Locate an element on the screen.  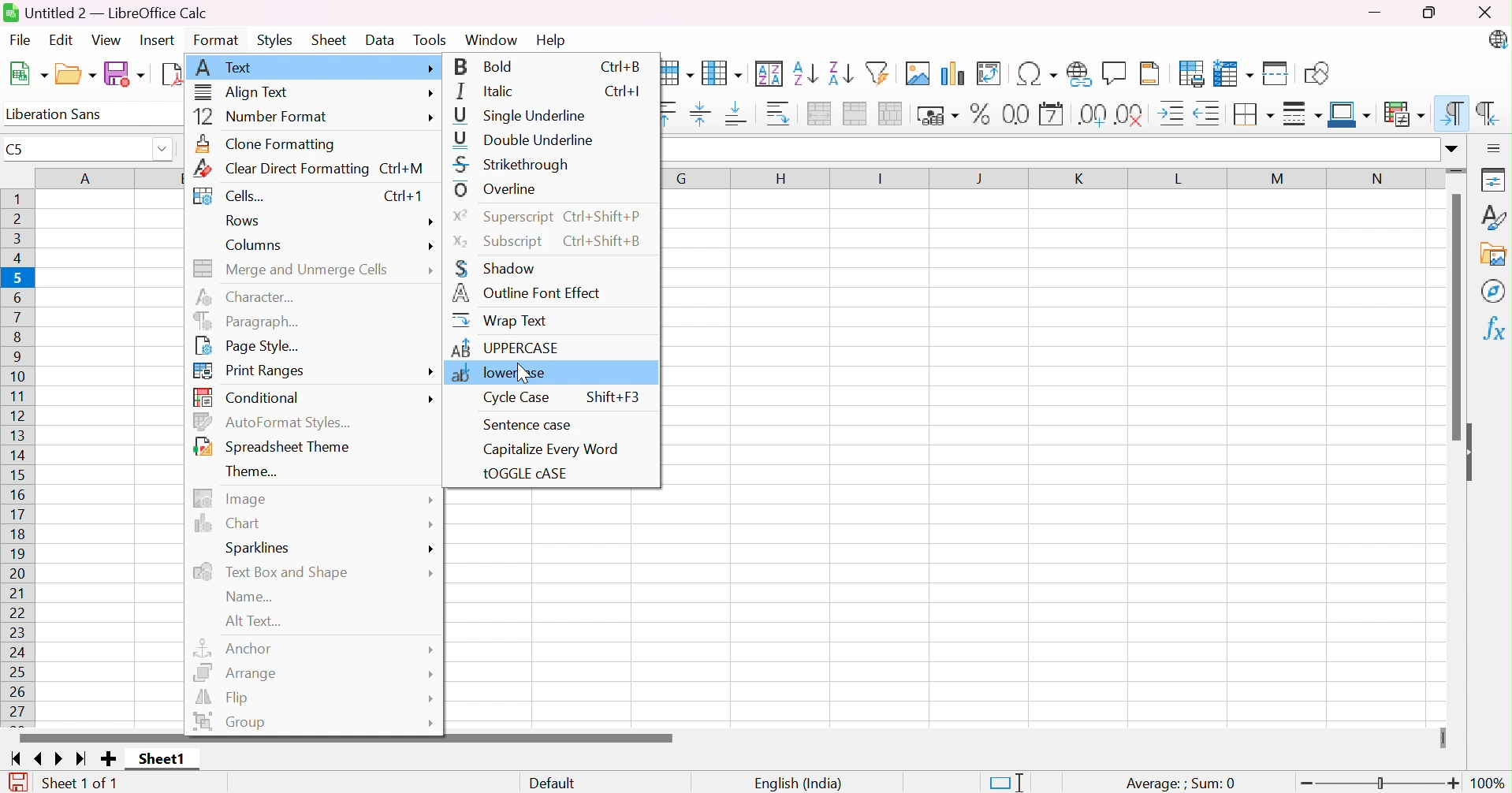
Unmerge Cells is located at coordinates (893, 114).